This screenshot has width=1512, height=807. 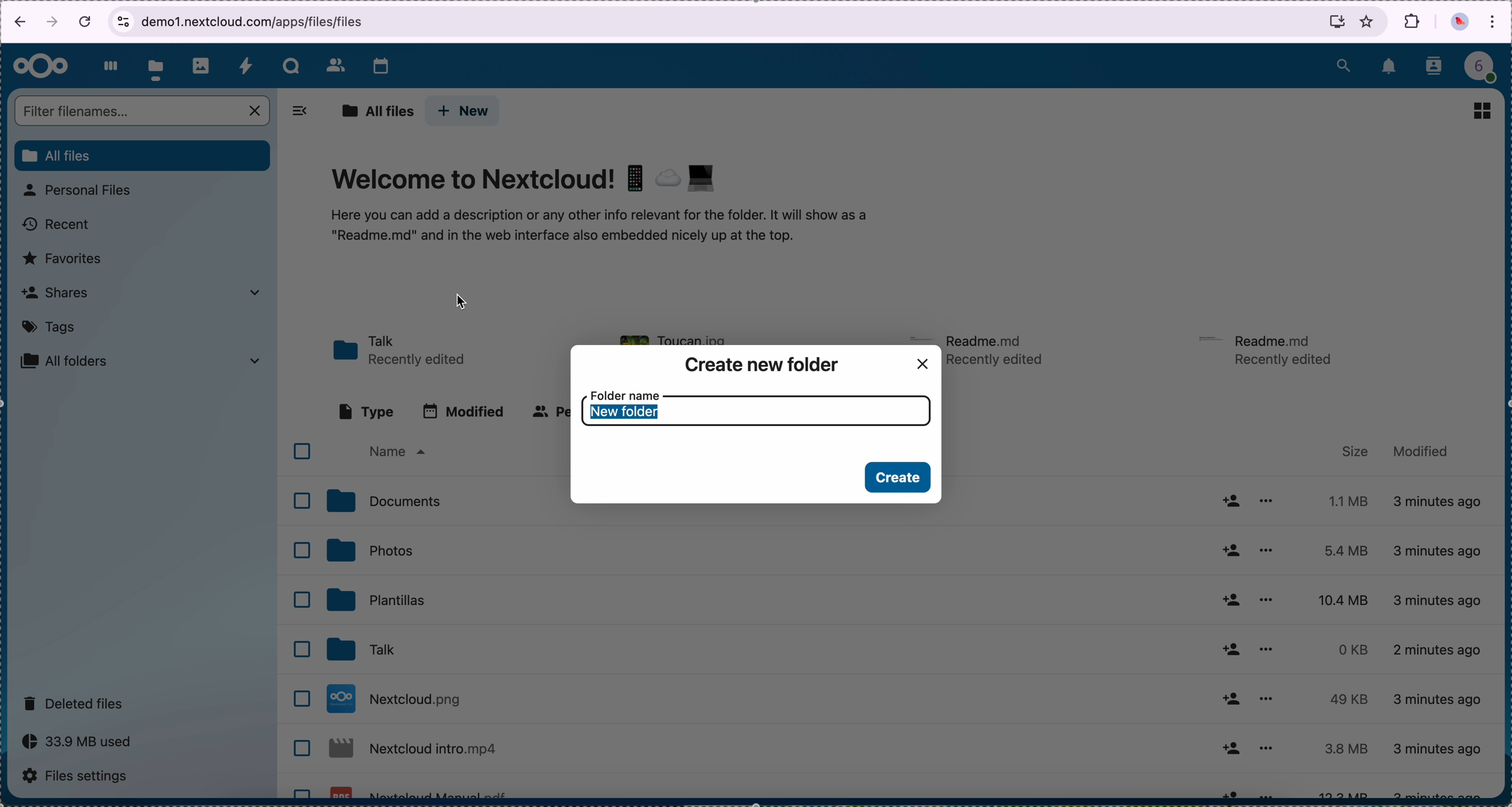 I want to click on modified, so click(x=464, y=411).